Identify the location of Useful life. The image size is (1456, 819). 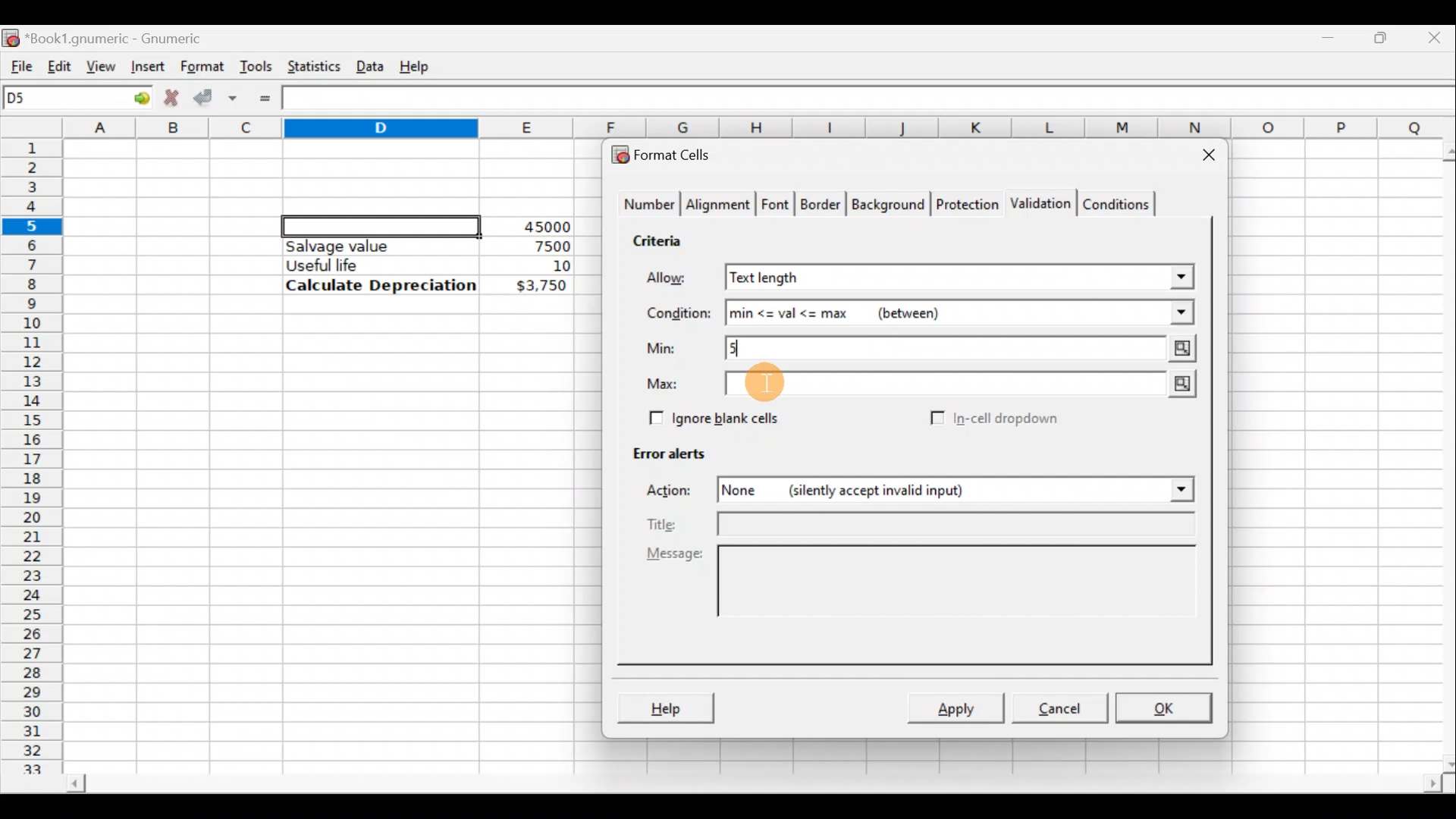
(372, 265).